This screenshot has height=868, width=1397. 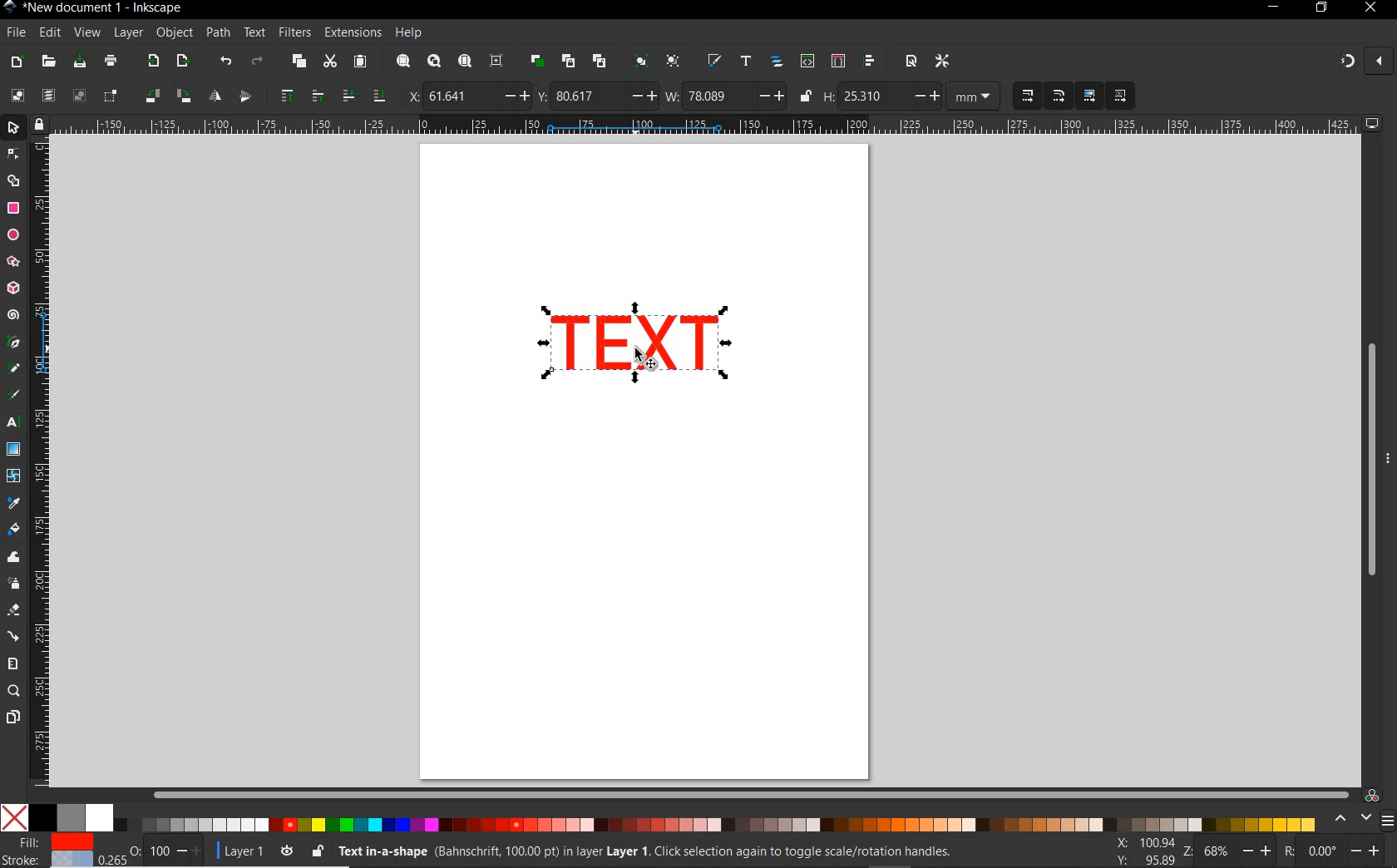 I want to click on MOVE PATTERNS, so click(x=1119, y=96).